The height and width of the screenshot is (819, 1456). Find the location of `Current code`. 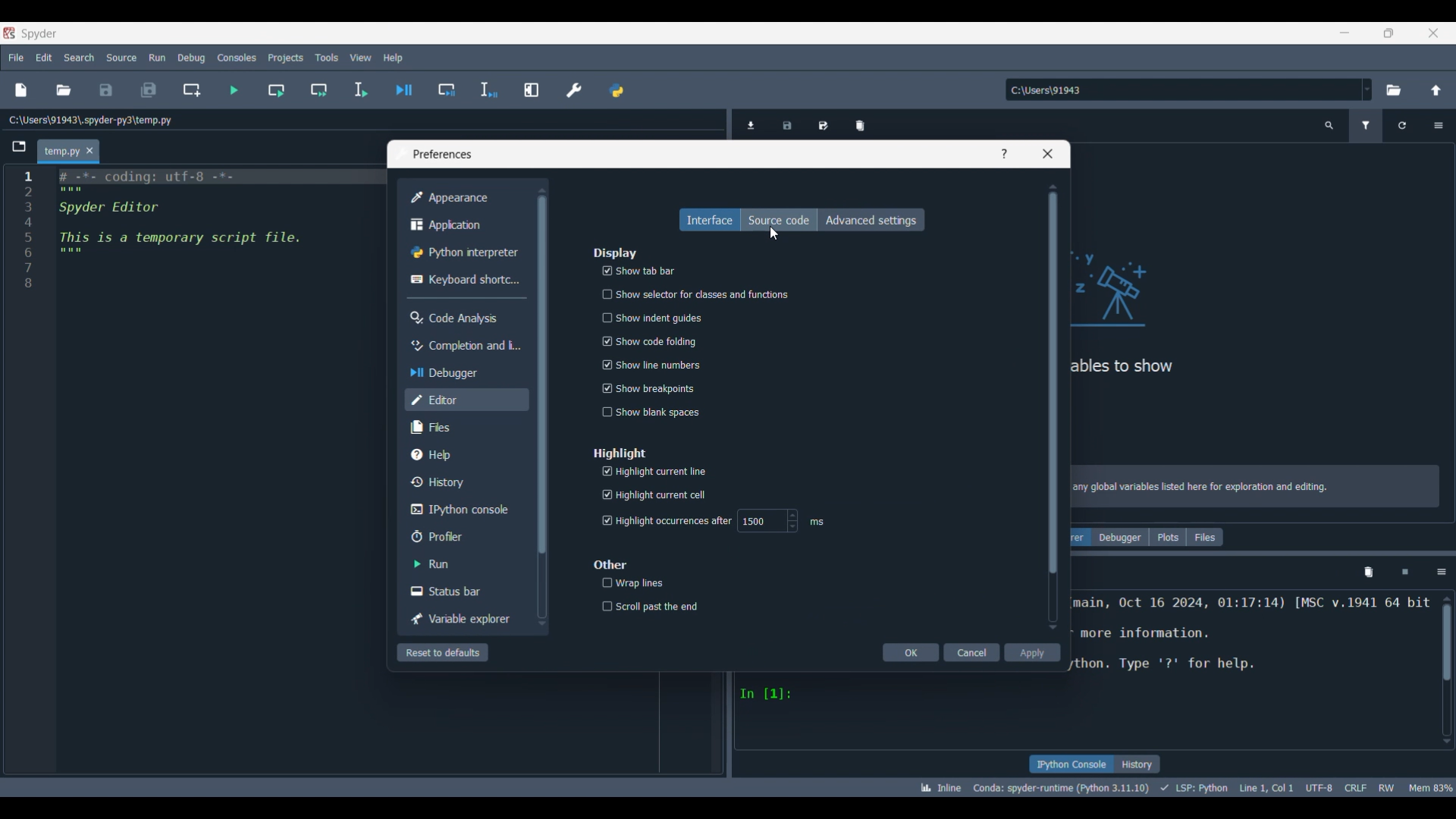

Current code is located at coordinates (201, 238).